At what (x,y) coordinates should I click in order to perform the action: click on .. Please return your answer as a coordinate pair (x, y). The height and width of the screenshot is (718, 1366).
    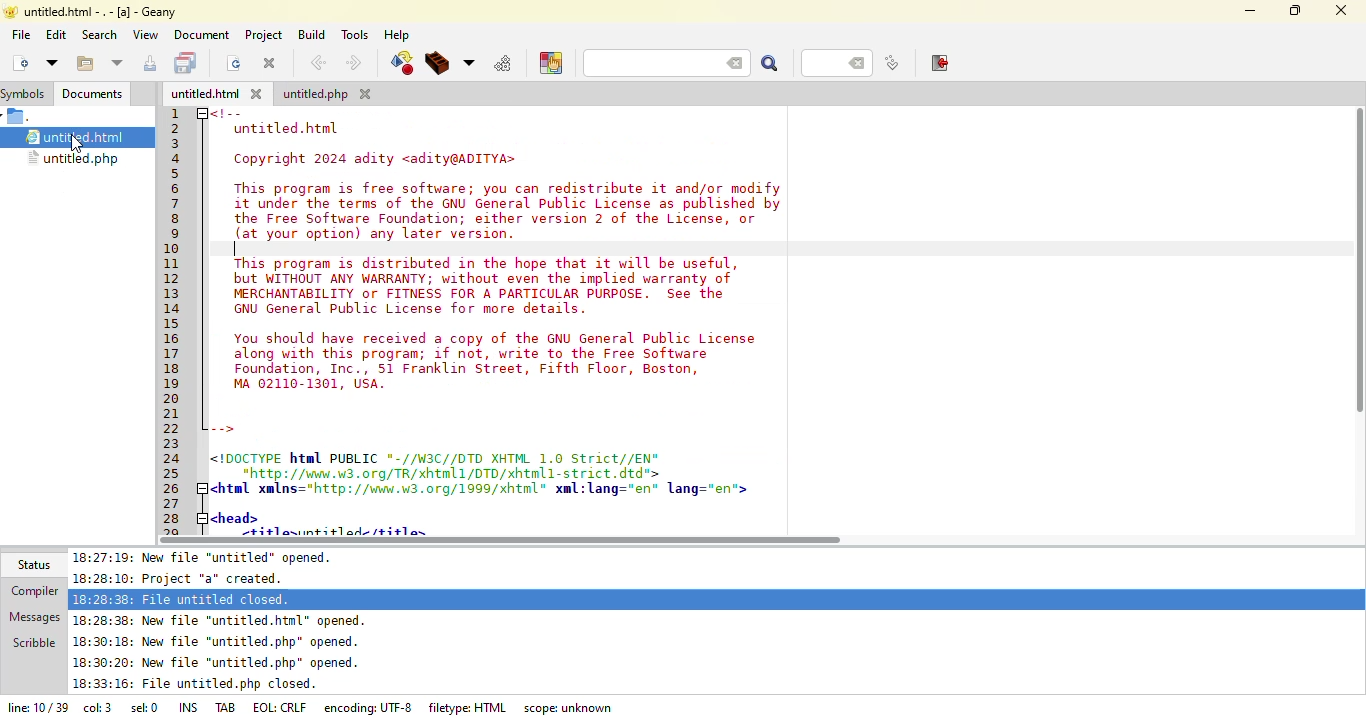
    Looking at the image, I should click on (17, 117).